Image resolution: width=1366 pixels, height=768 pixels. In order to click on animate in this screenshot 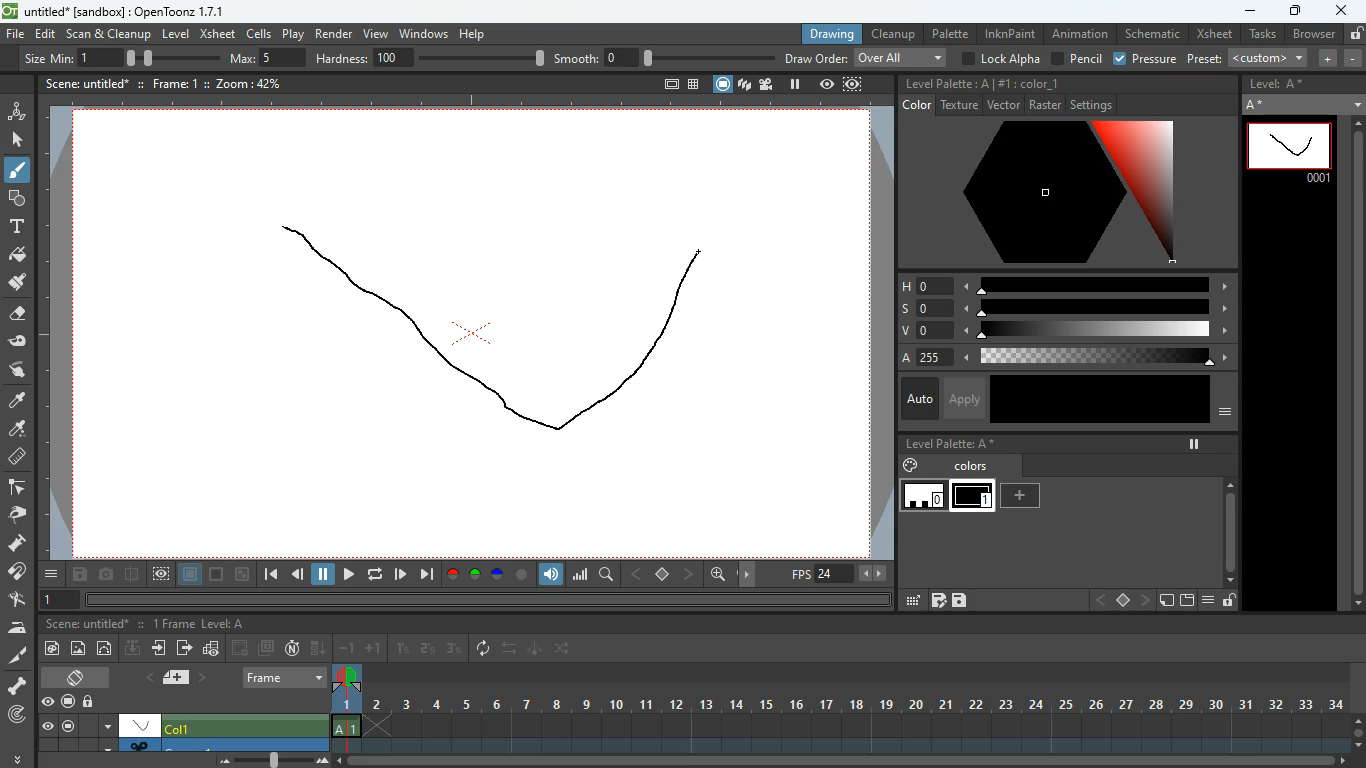, I will do `click(17, 110)`.